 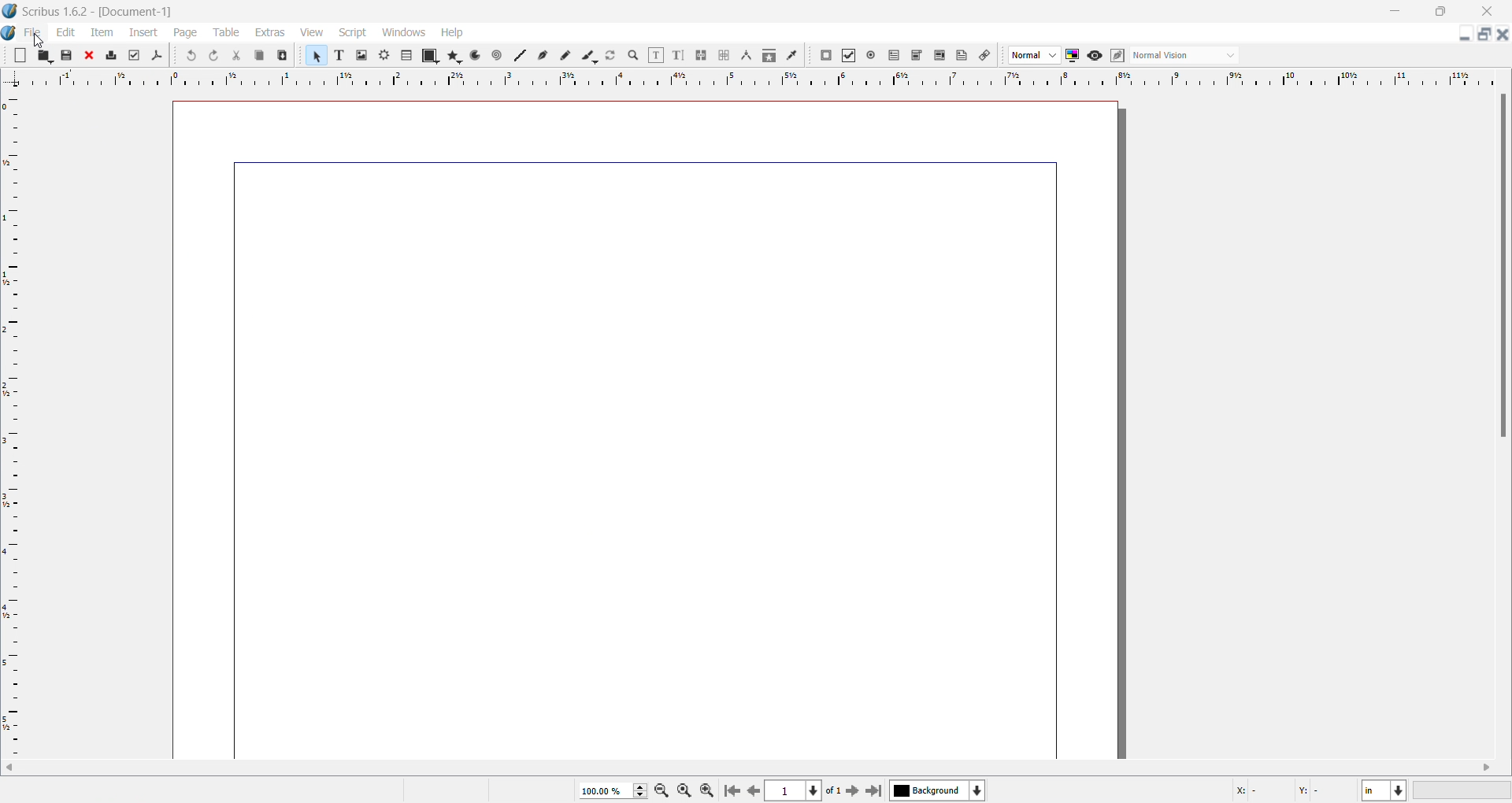 What do you see at coordinates (937, 57) in the screenshot?
I see `icon` at bounding box center [937, 57].